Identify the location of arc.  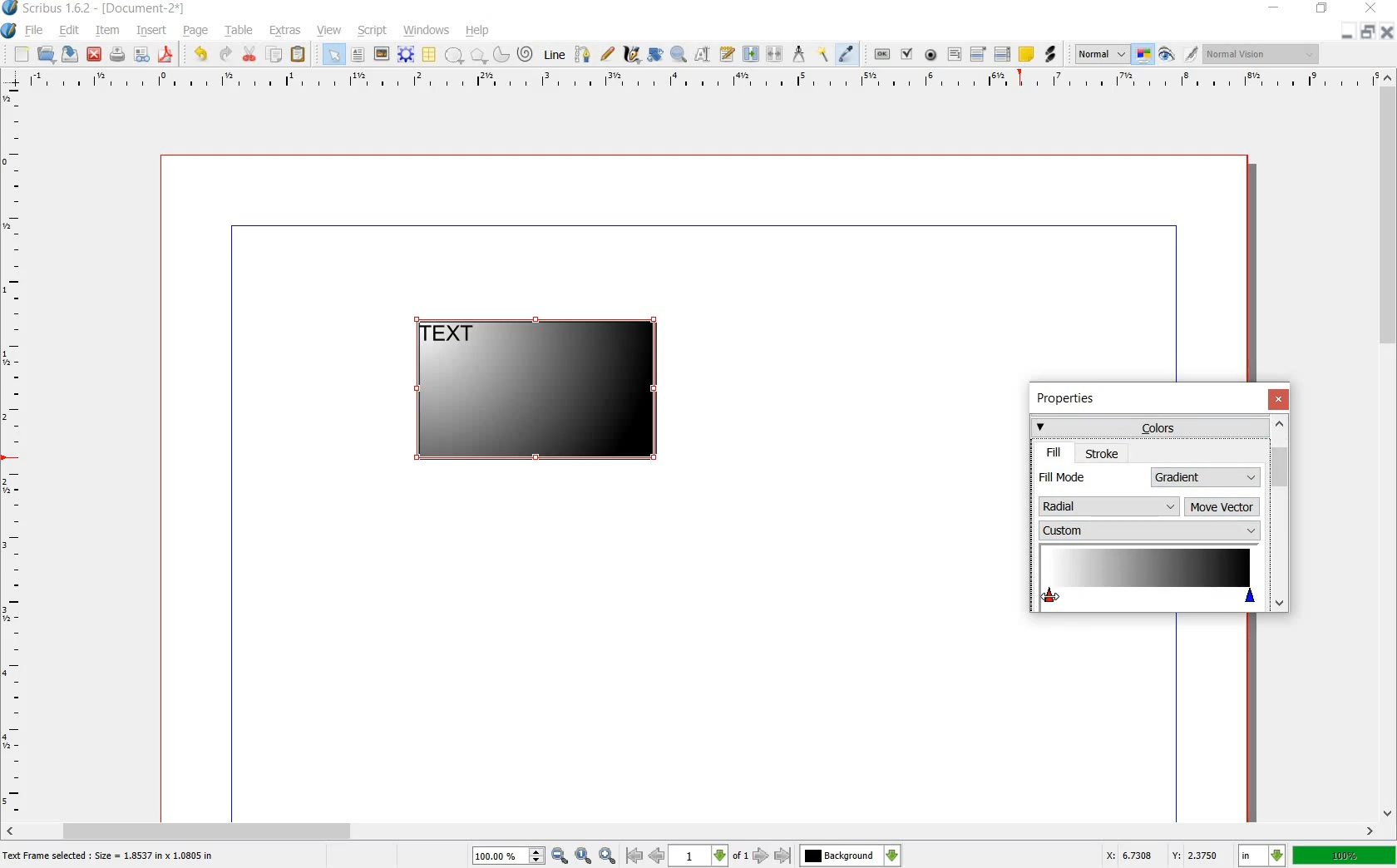
(500, 53).